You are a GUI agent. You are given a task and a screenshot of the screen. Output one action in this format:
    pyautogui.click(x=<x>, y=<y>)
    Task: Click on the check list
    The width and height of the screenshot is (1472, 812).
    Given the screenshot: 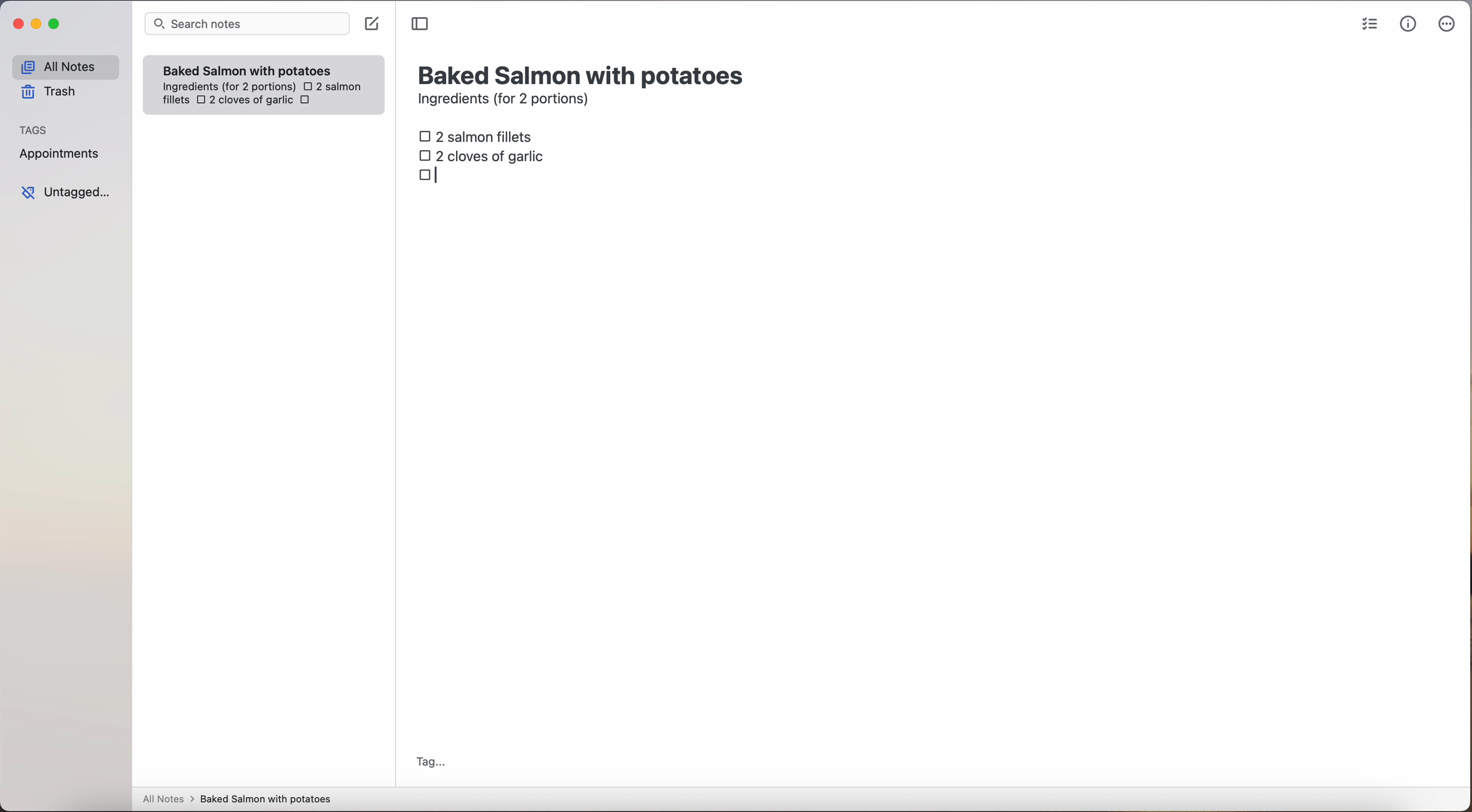 What is the action you would take?
    pyautogui.click(x=1370, y=25)
    